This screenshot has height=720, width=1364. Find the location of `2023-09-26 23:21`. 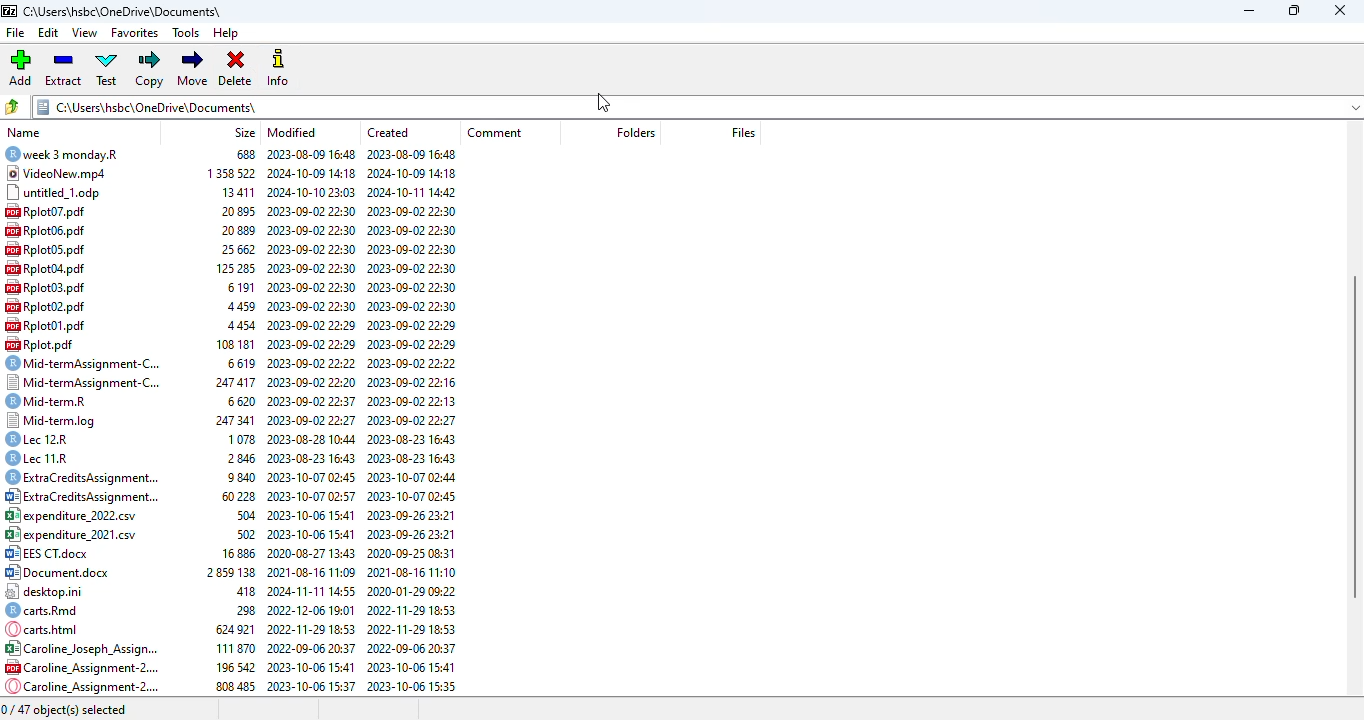

2023-09-26 23:21 is located at coordinates (412, 514).